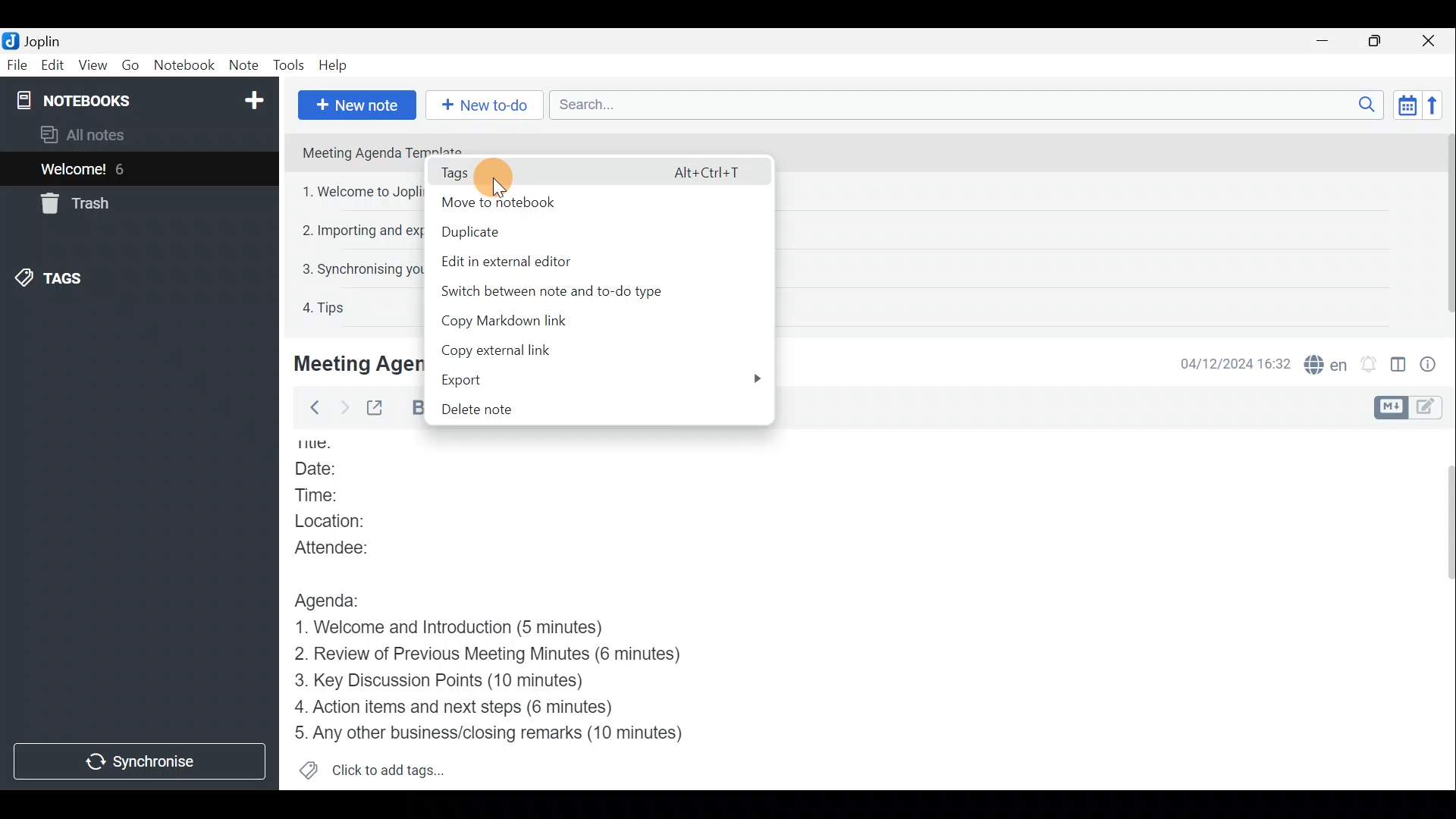 The image size is (1456, 819). I want to click on Duplicate, so click(556, 231).